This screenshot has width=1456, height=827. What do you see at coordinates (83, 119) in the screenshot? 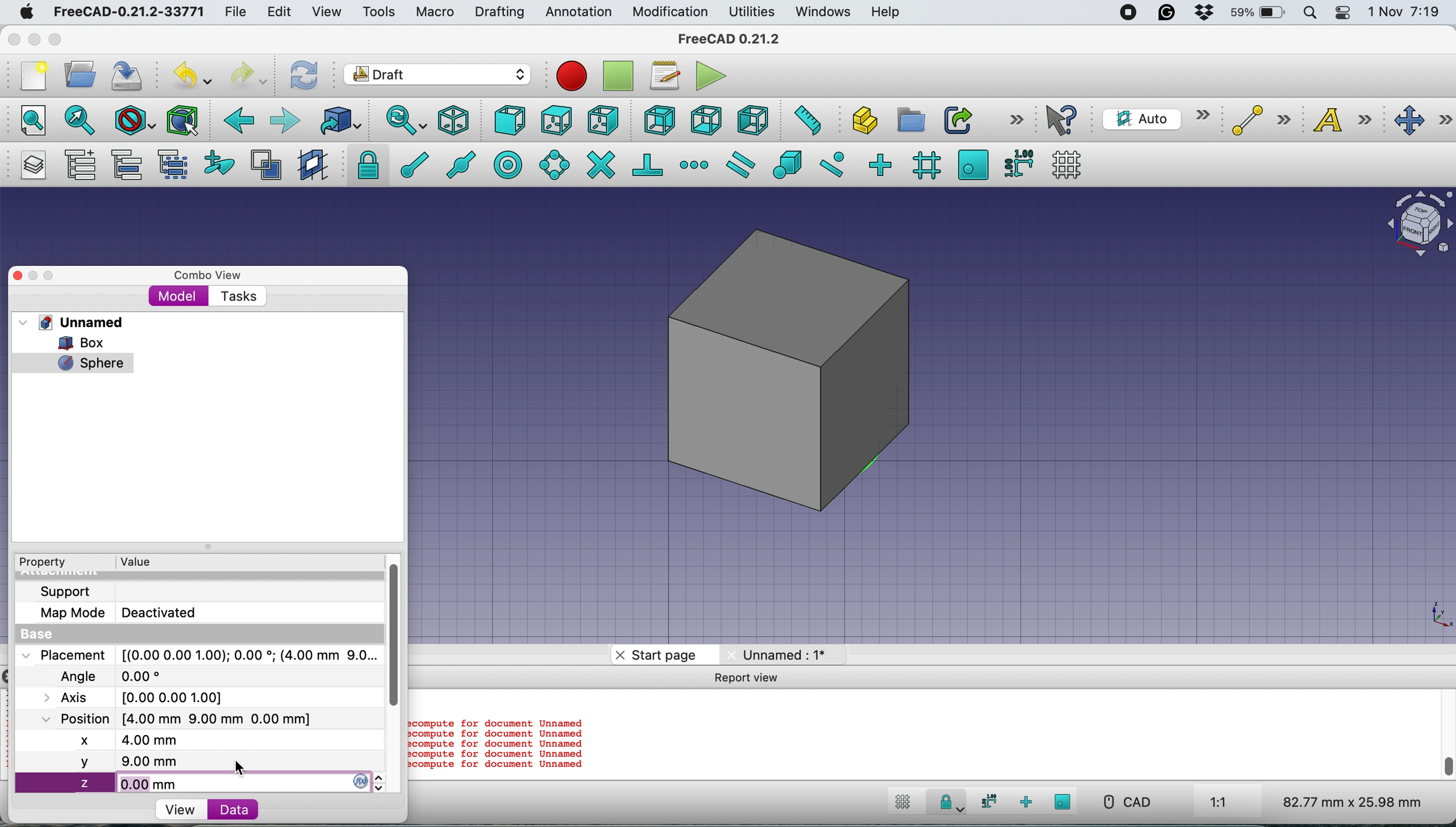
I see `fit selections` at bounding box center [83, 119].